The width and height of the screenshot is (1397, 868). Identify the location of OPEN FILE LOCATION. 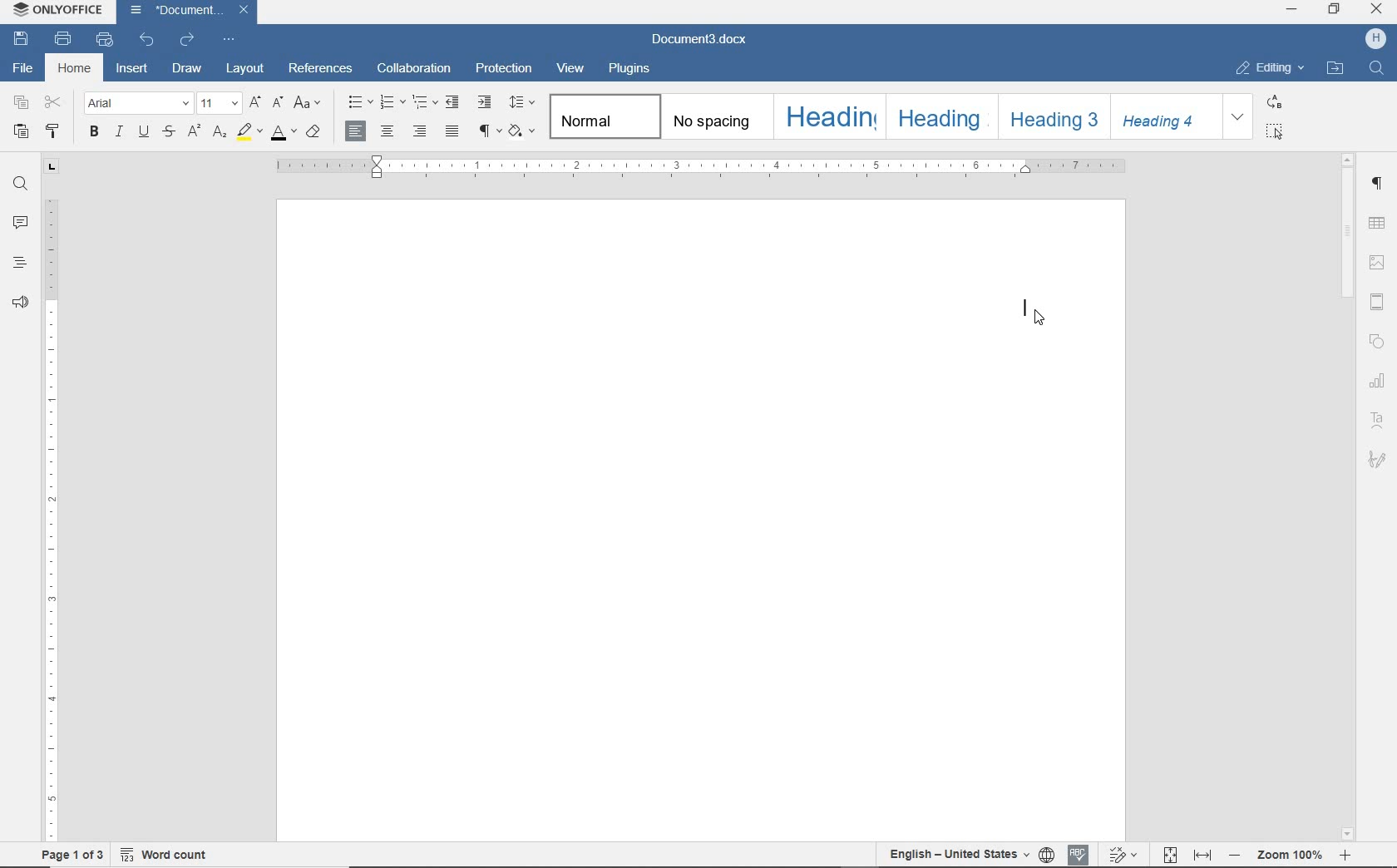
(1336, 70).